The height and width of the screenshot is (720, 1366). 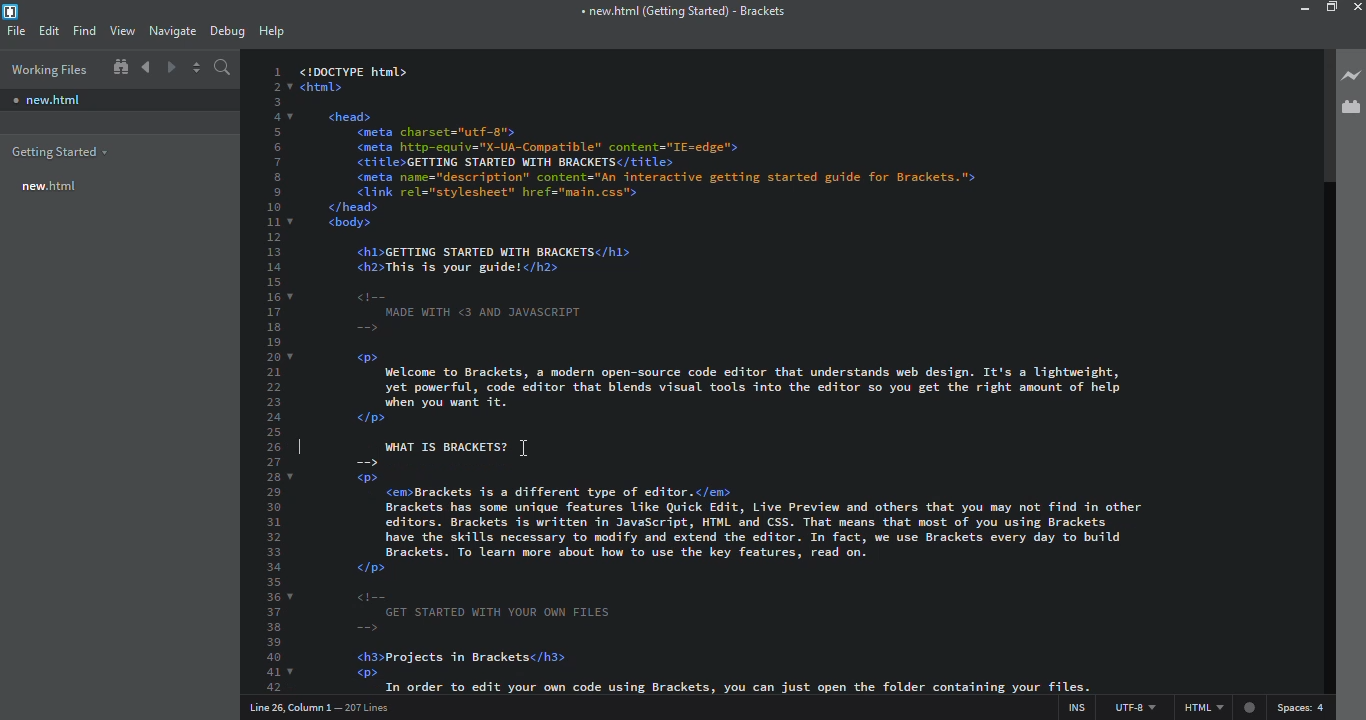 What do you see at coordinates (439, 444) in the screenshot?
I see `line` at bounding box center [439, 444].